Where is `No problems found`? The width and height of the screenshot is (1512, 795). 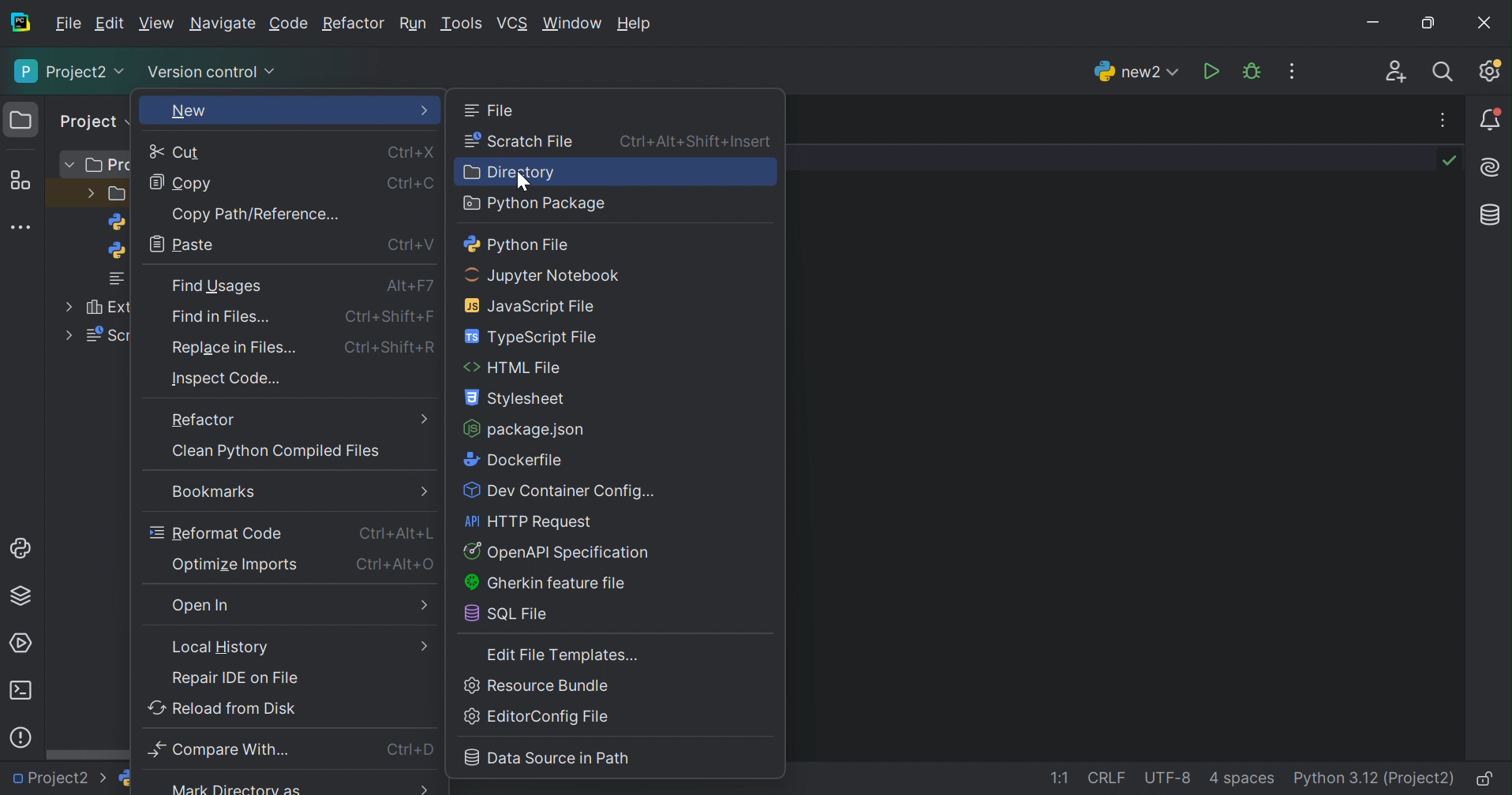
No problems found is located at coordinates (1453, 162).